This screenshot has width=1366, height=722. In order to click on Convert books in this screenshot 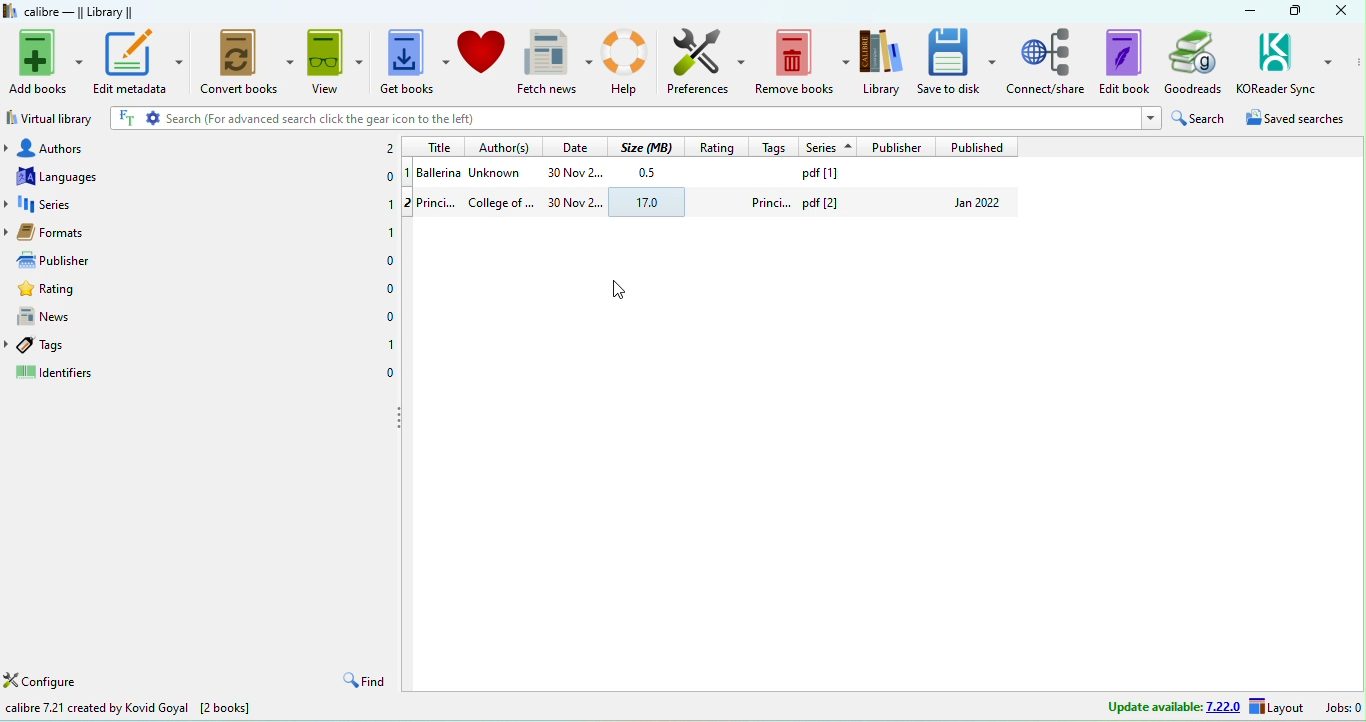, I will do `click(250, 59)`.